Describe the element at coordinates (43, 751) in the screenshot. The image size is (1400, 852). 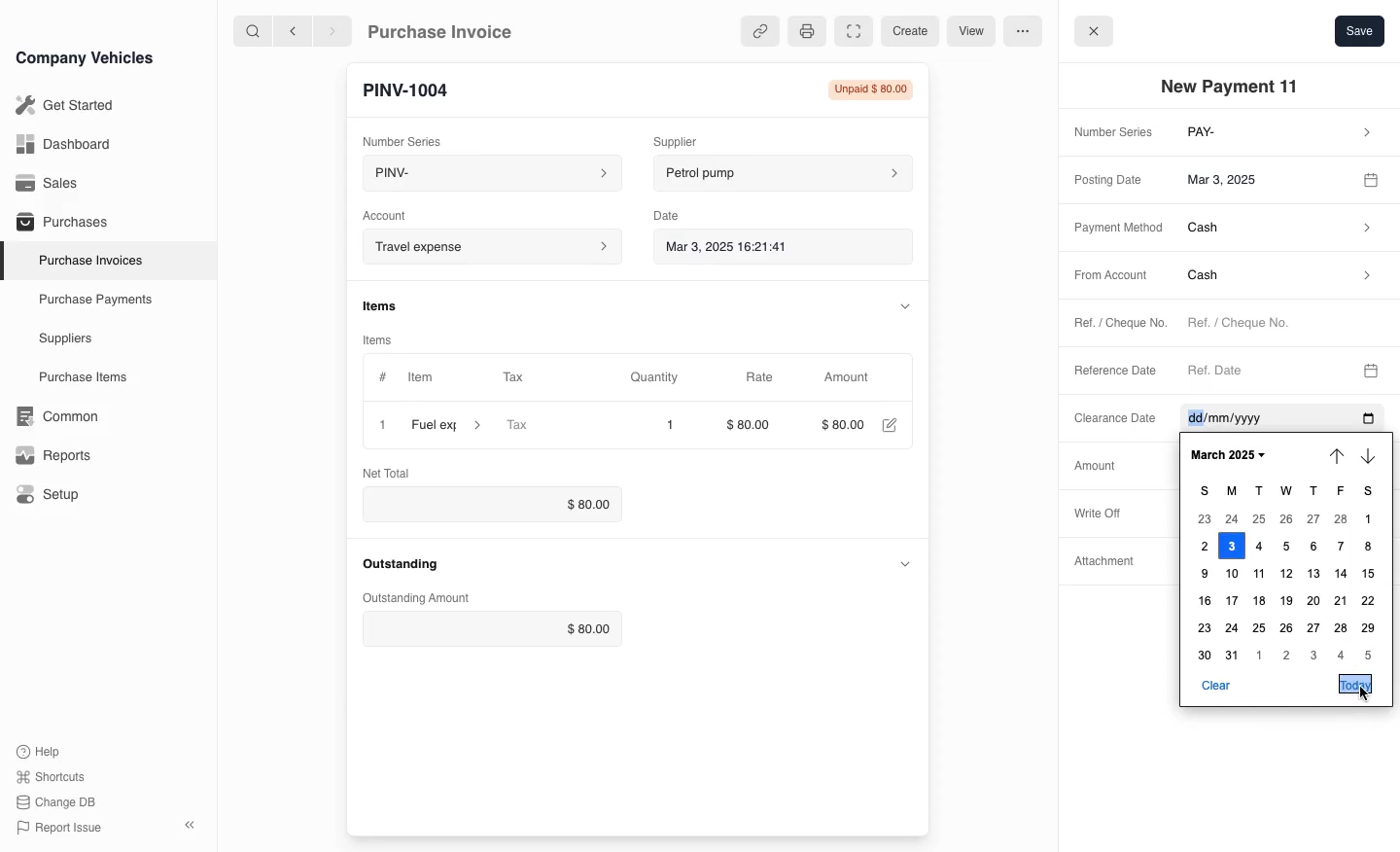
I see `Help` at that location.